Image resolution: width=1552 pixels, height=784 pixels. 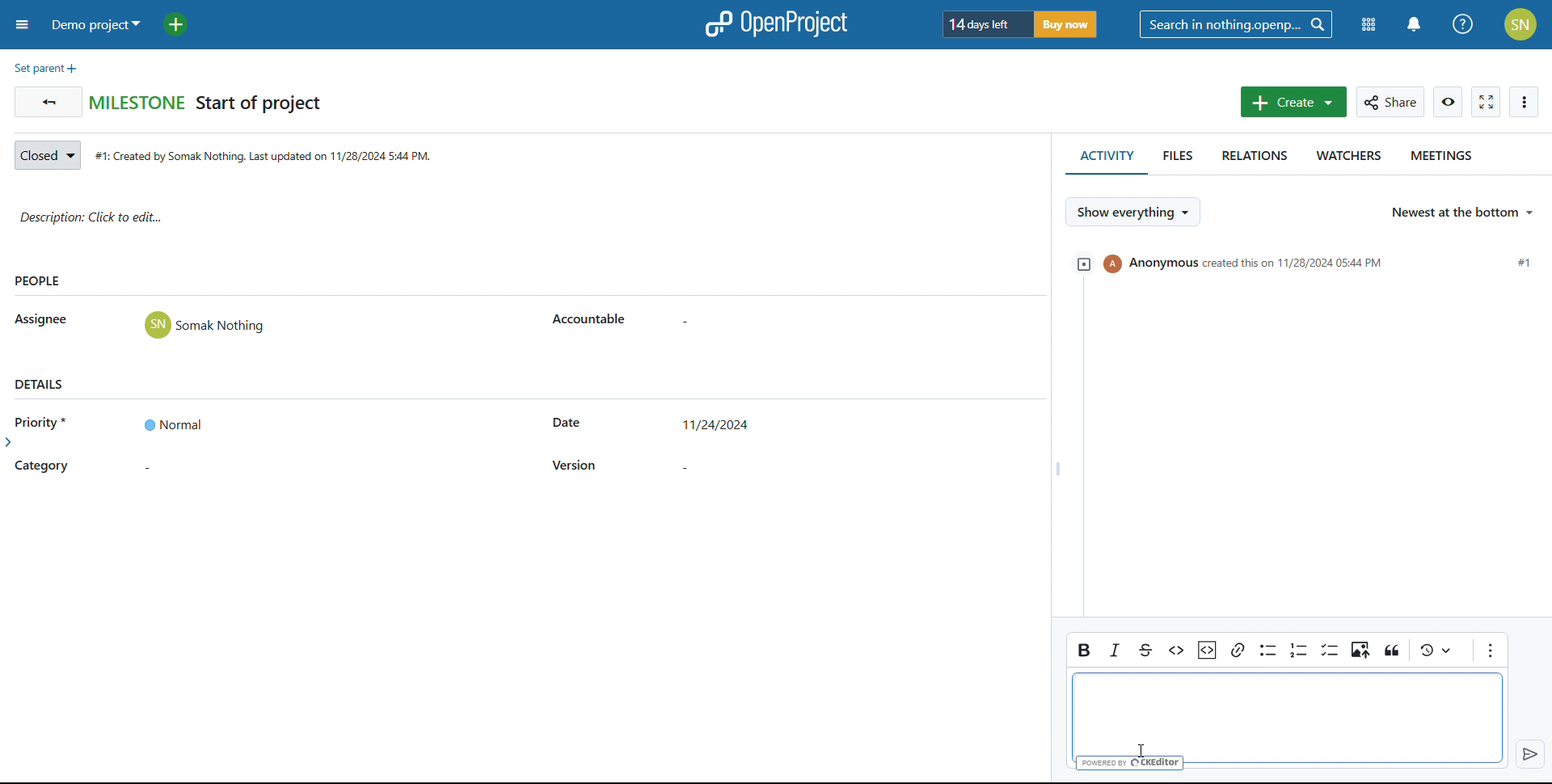 I want to click on start of project, so click(x=259, y=105).